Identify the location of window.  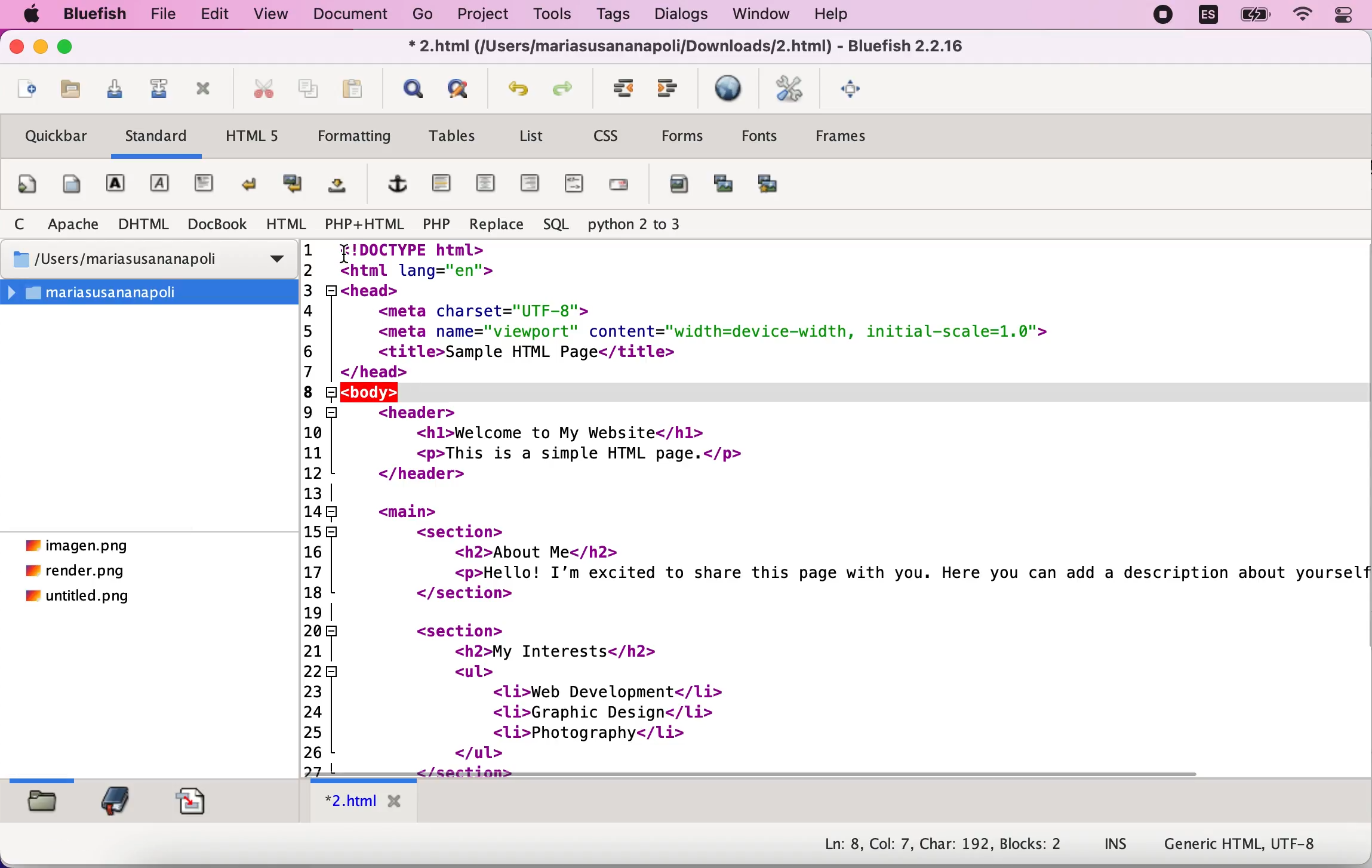
(762, 16).